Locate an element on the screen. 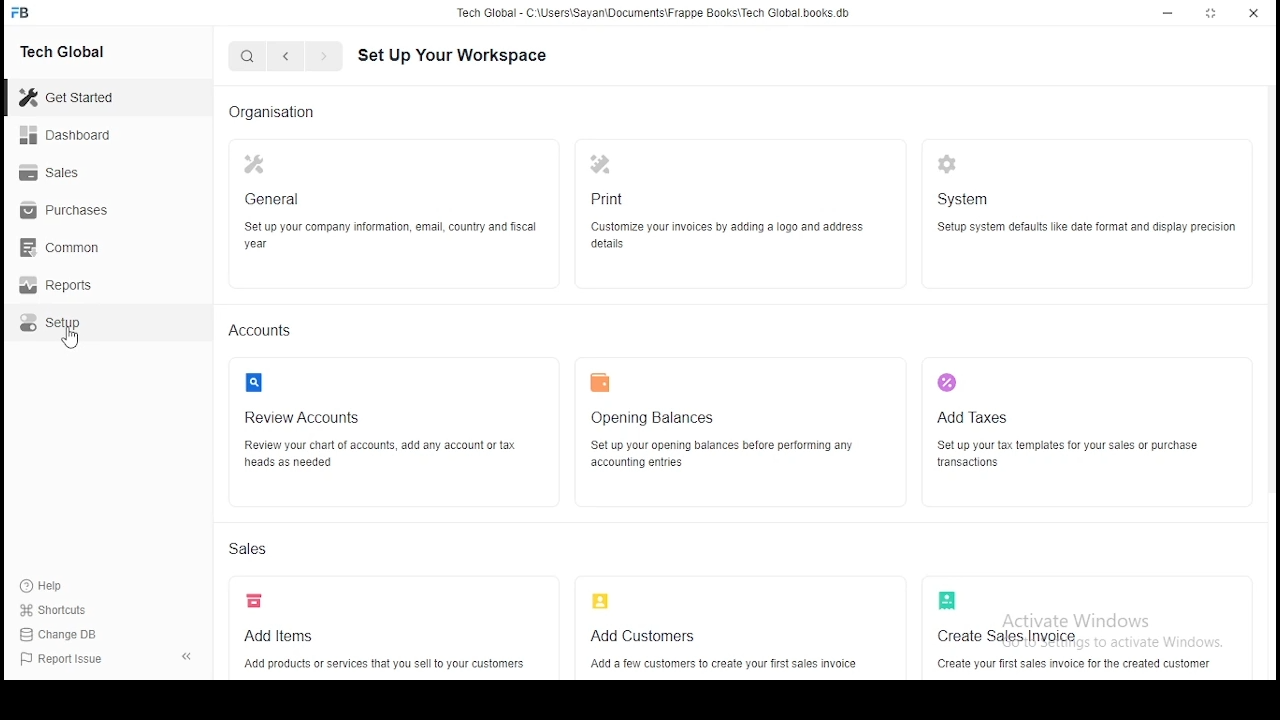 The height and width of the screenshot is (720, 1280). Tech Global is located at coordinates (85, 50).